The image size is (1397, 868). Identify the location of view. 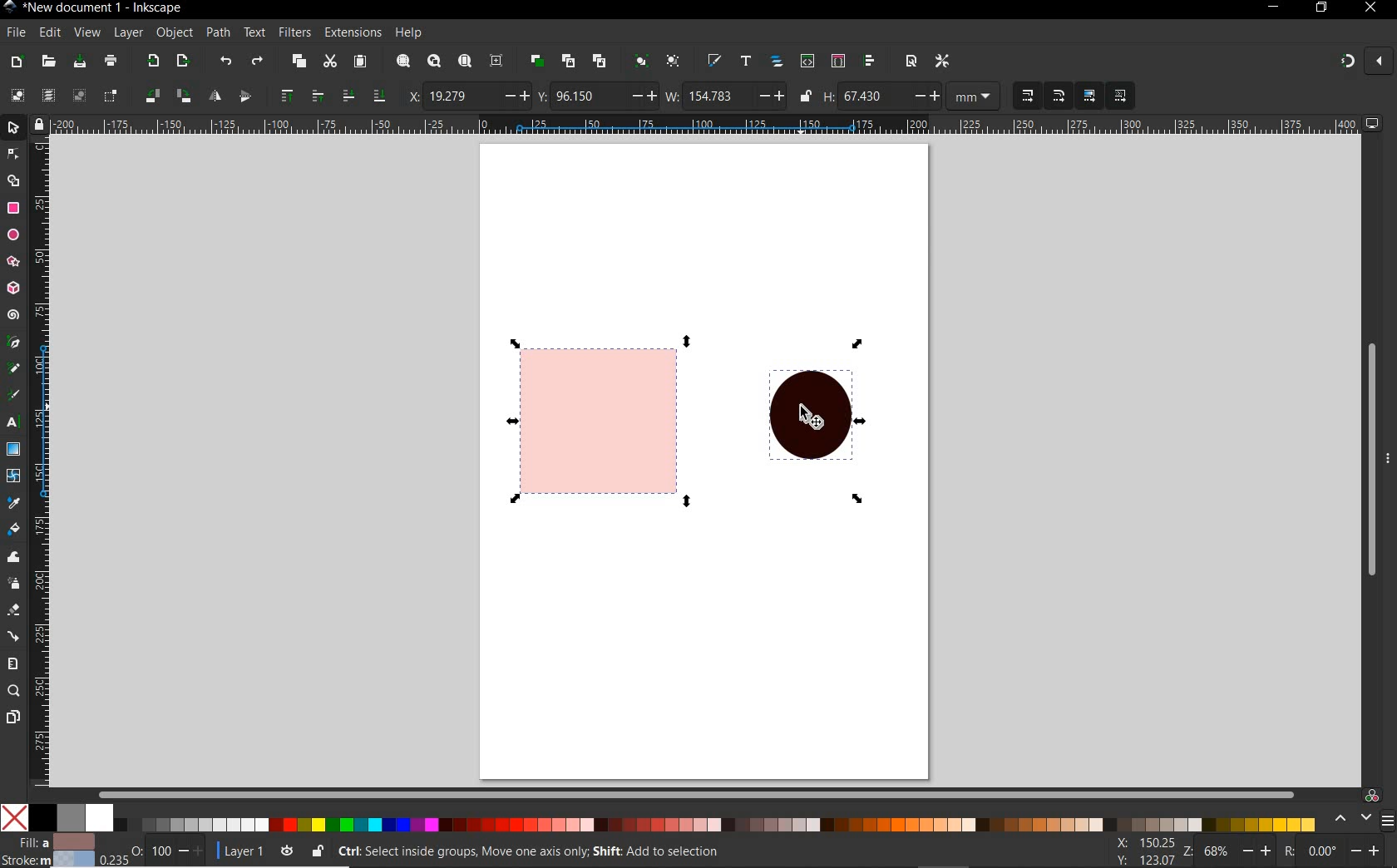
(86, 31).